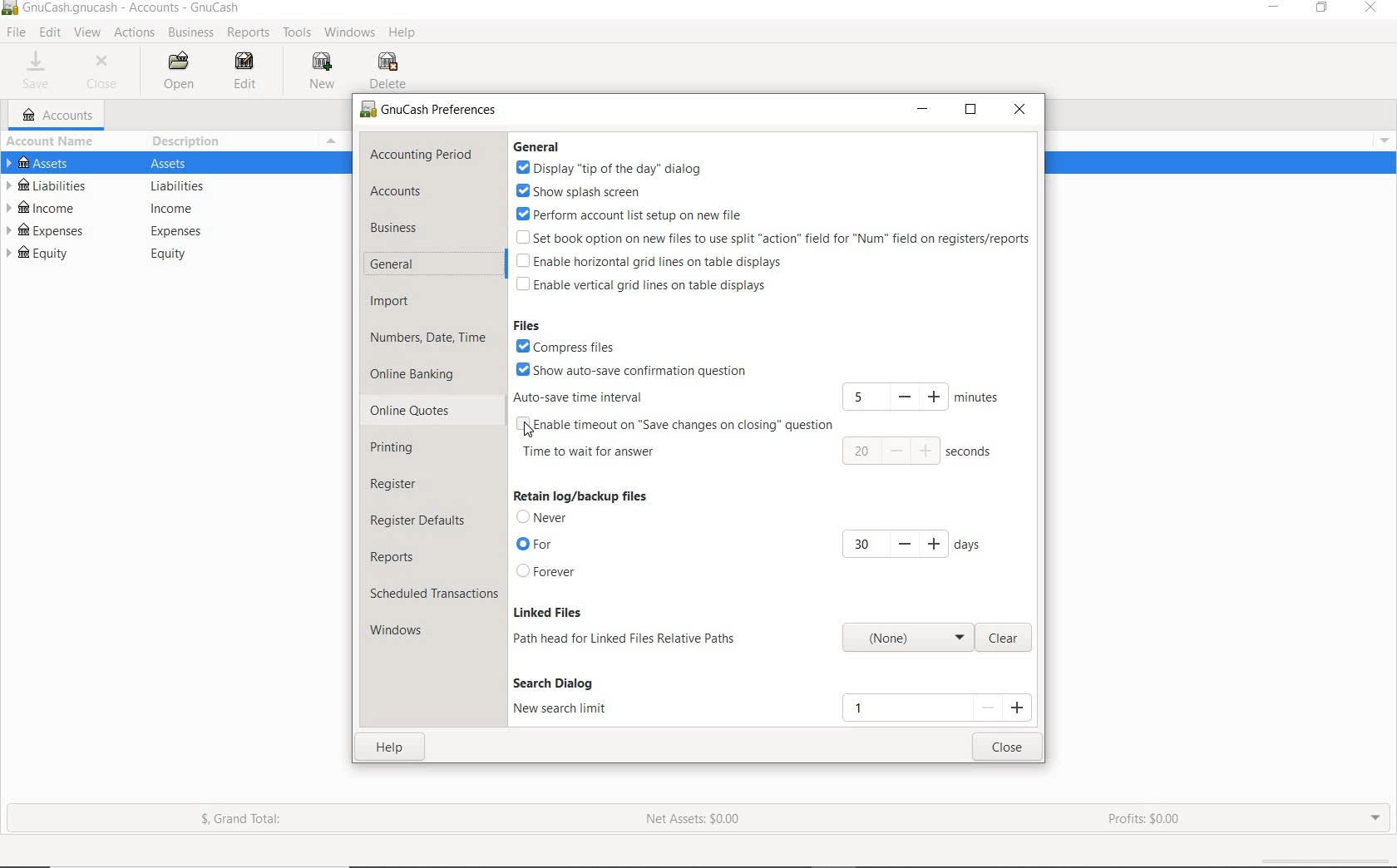 Image resolution: width=1397 pixels, height=868 pixels. Describe the element at coordinates (14, 32) in the screenshot. I see `FILE` at that location.